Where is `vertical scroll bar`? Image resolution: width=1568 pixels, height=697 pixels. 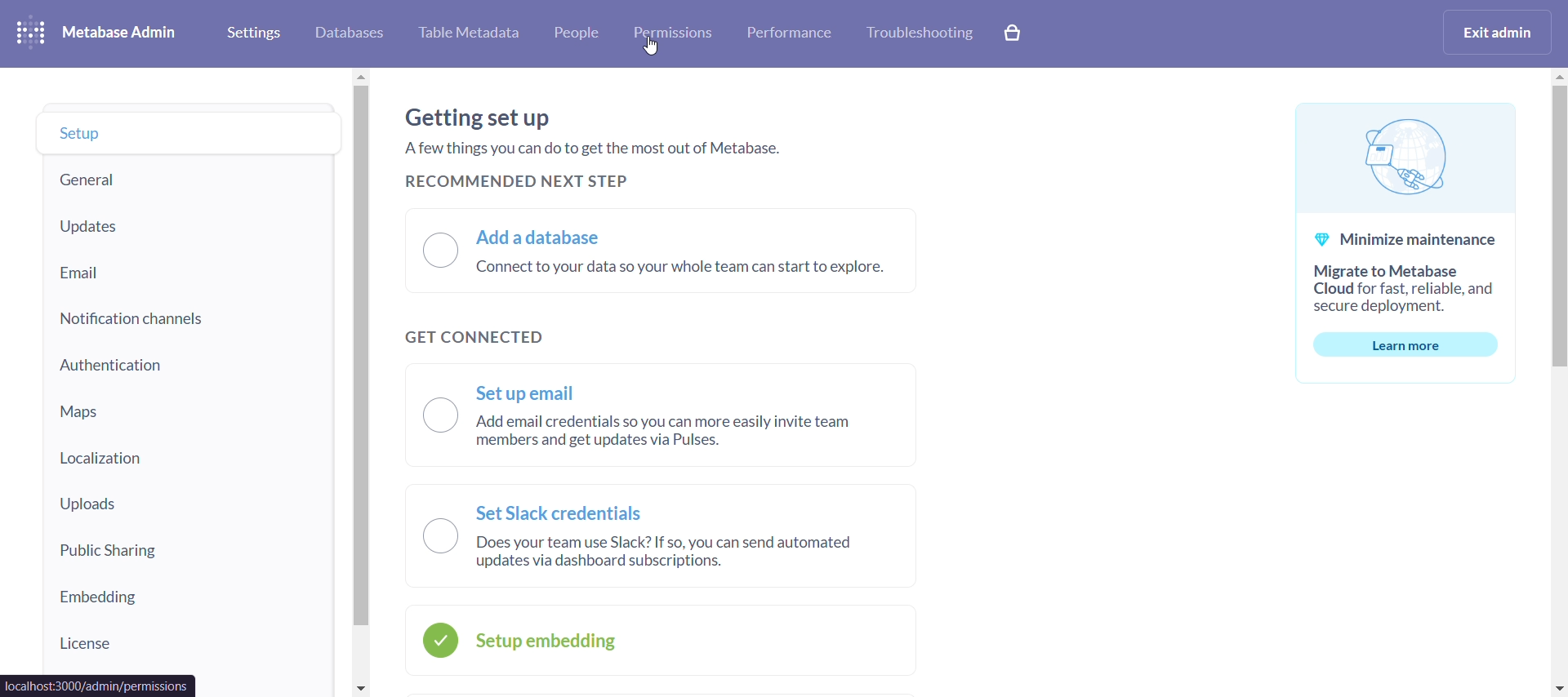
vertical scroll bar is located at coordinates (1558, 381).